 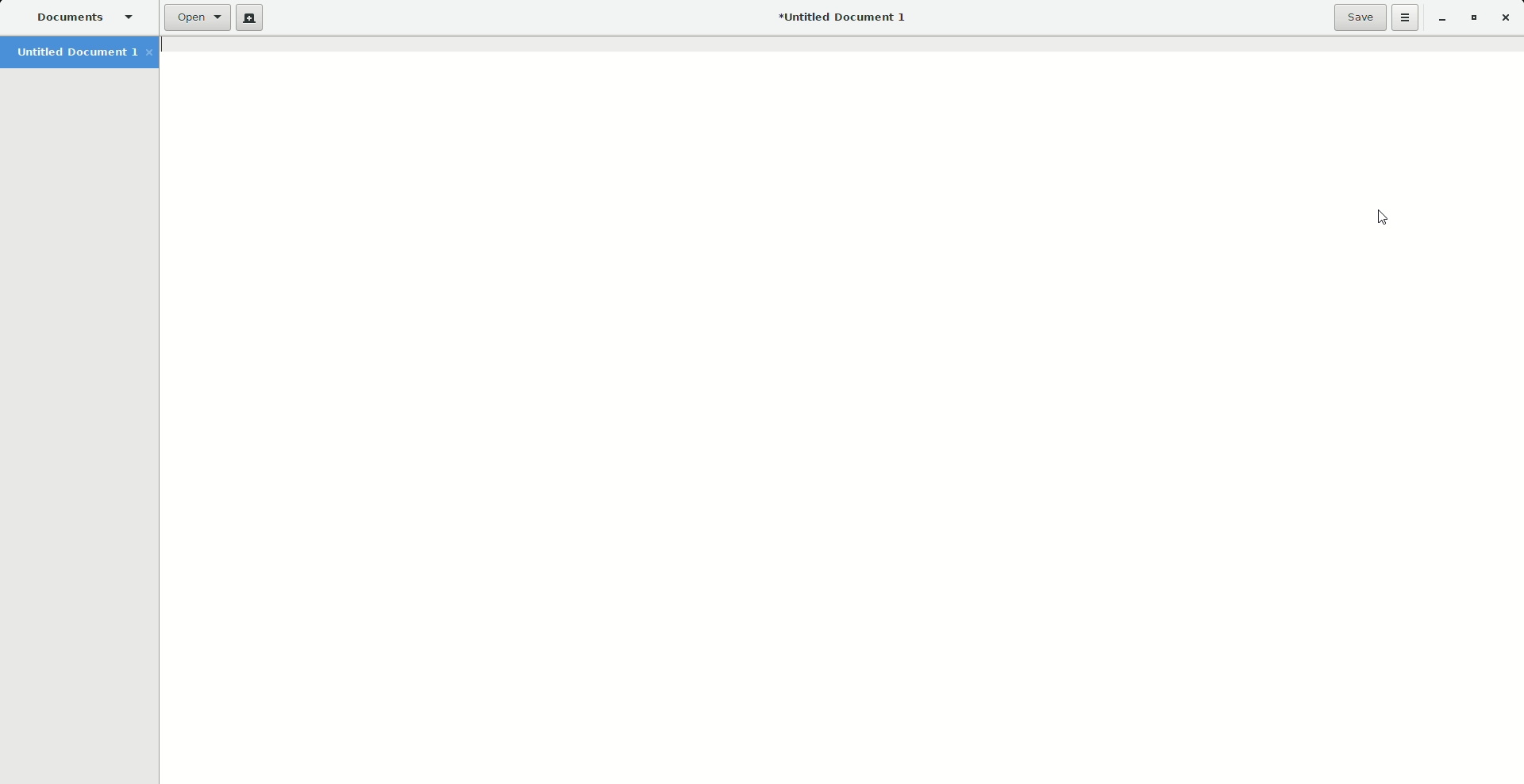 What do you see at coordinates (1441, 19) in the screenshot?
I see `Minimize` at bounding box center [1441, 19].